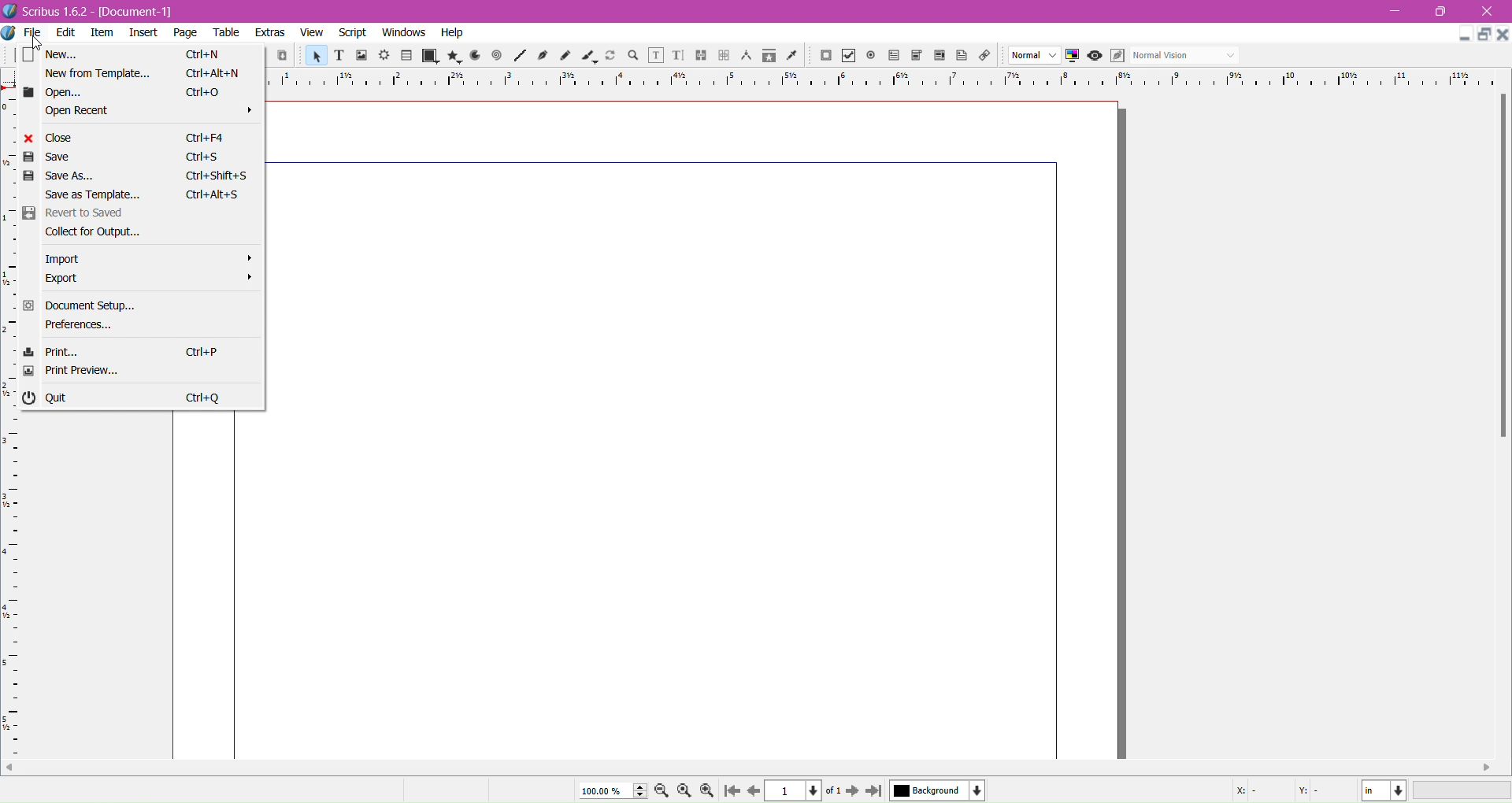 The height and width of the screenshot is (803, 1512). Describe the element at coordinates (115, 214) in the screenshot. I see `Revert to Saved` at that location.